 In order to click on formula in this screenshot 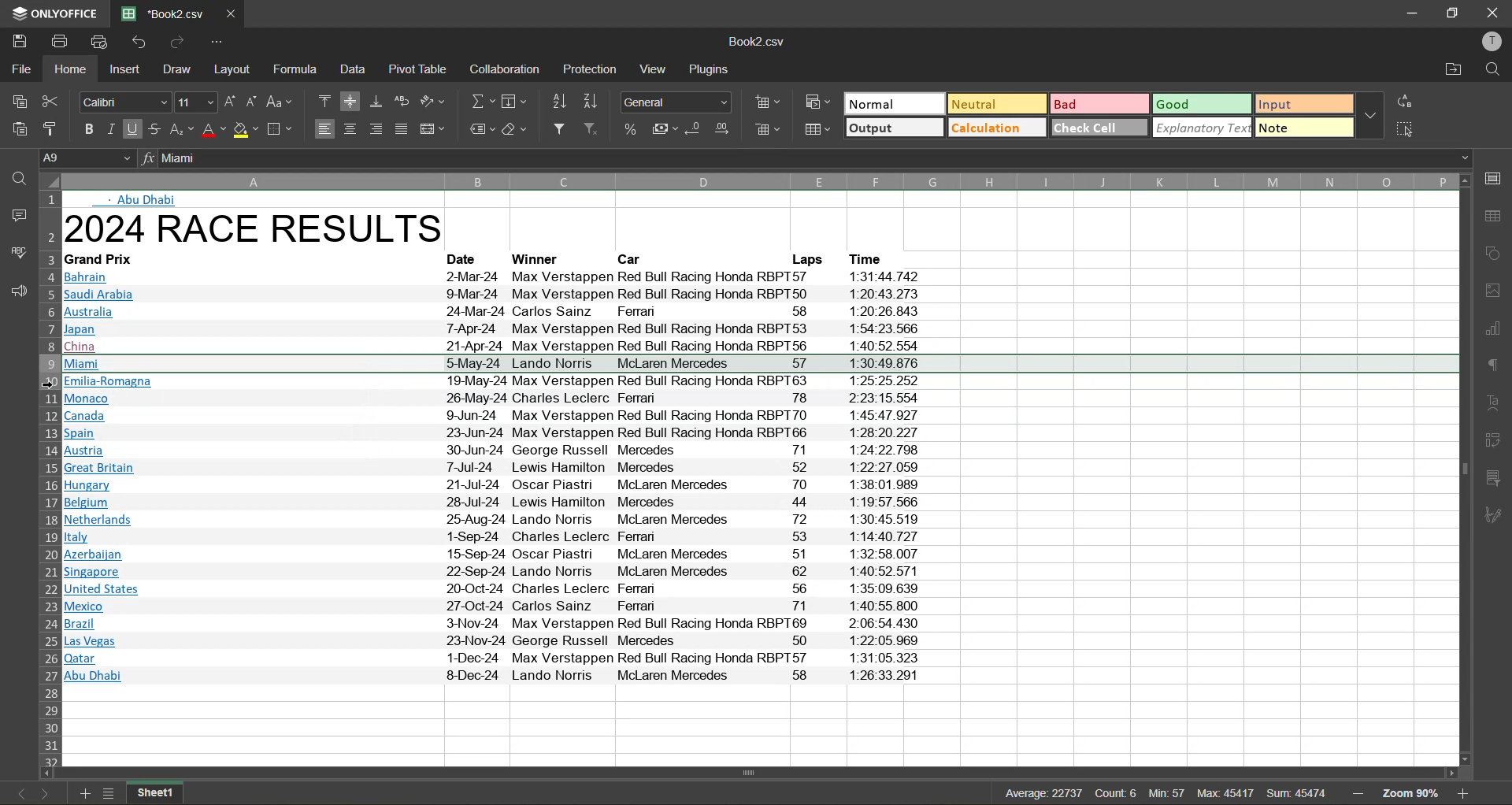, I will do `click(294, 72)`.